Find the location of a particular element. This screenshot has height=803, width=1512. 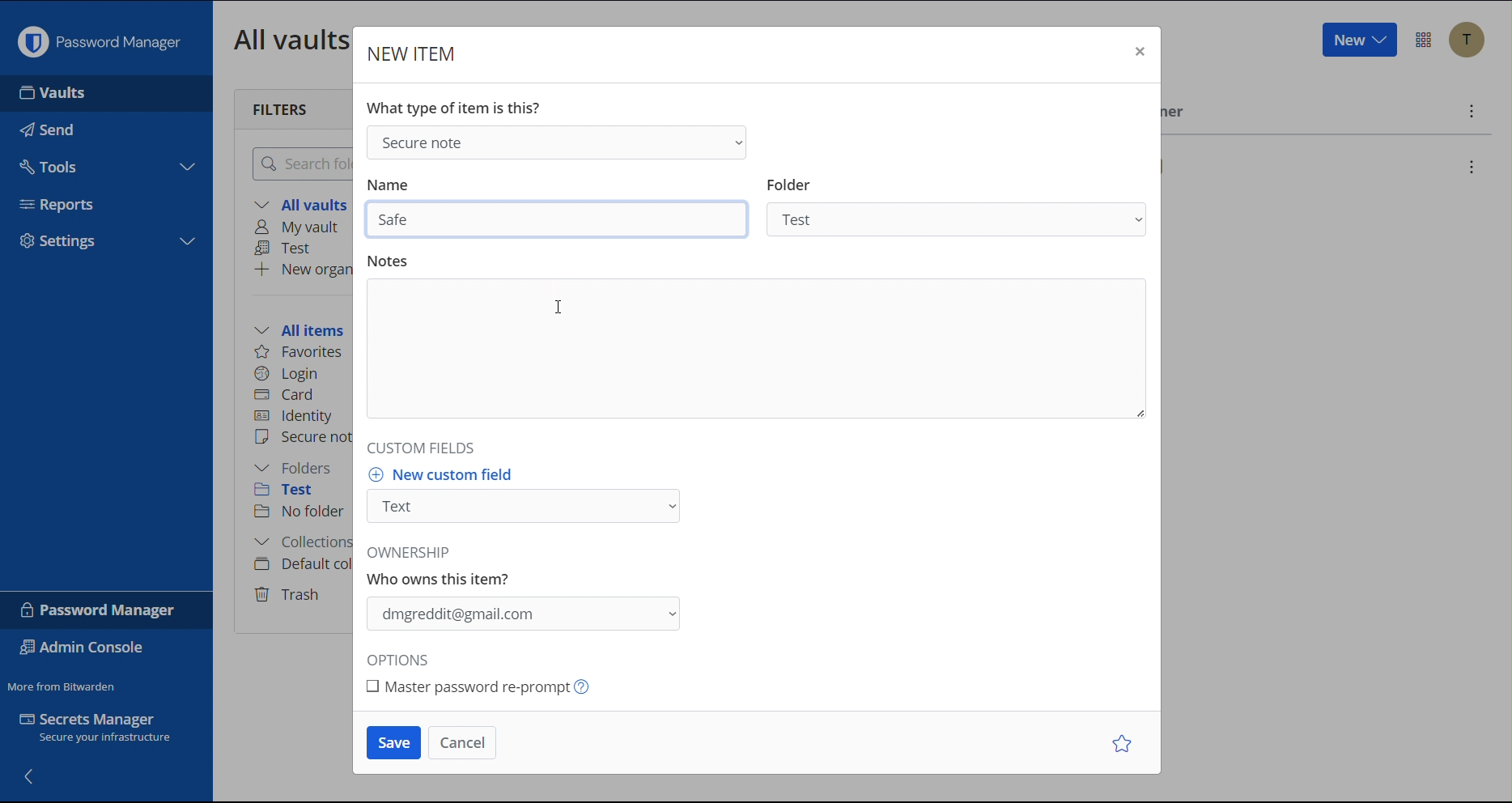

Login is located at coordinates (287, 372).